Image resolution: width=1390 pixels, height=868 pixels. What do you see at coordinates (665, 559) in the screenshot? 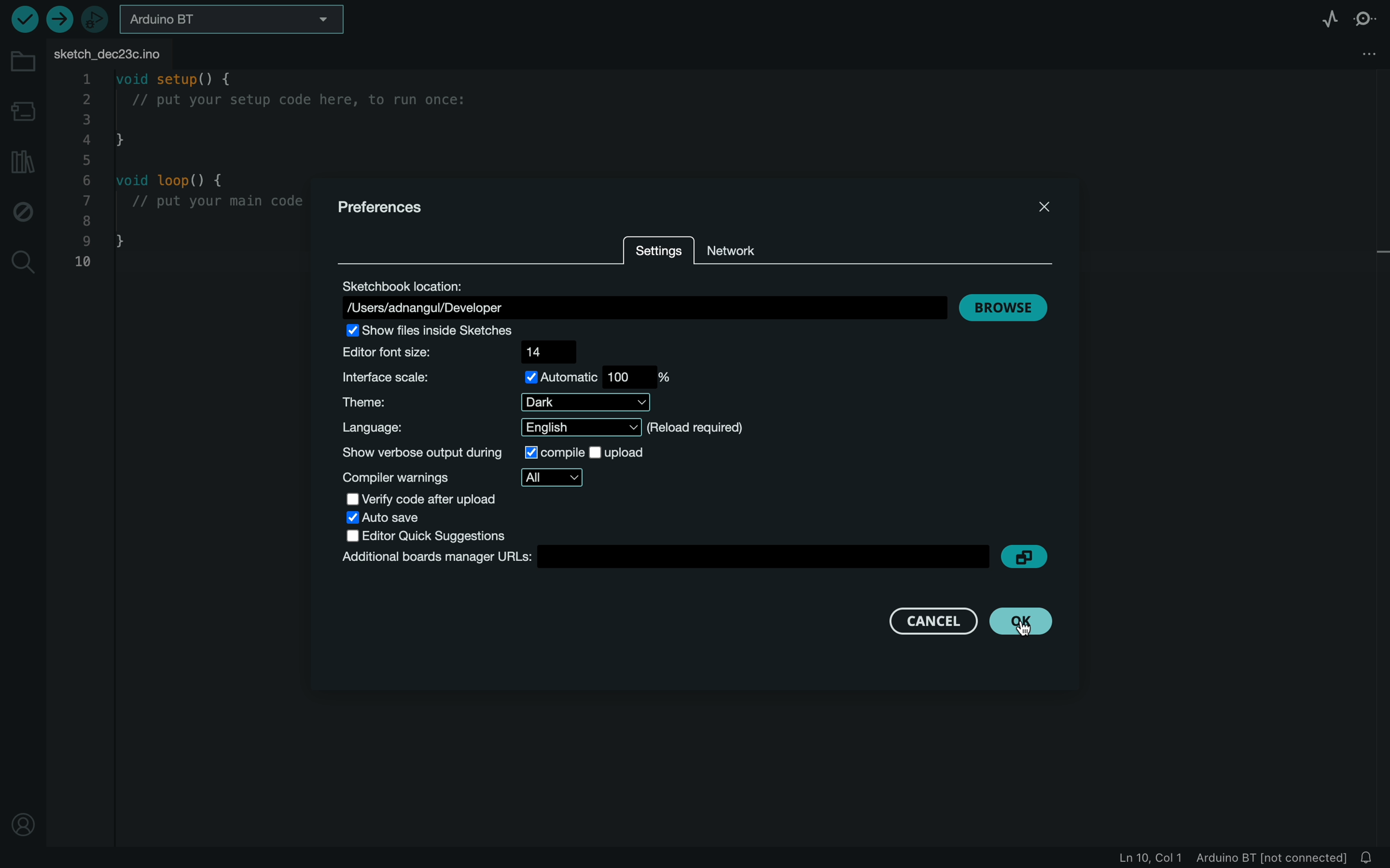
I see `boards manager` at bounding box center [665, 559].